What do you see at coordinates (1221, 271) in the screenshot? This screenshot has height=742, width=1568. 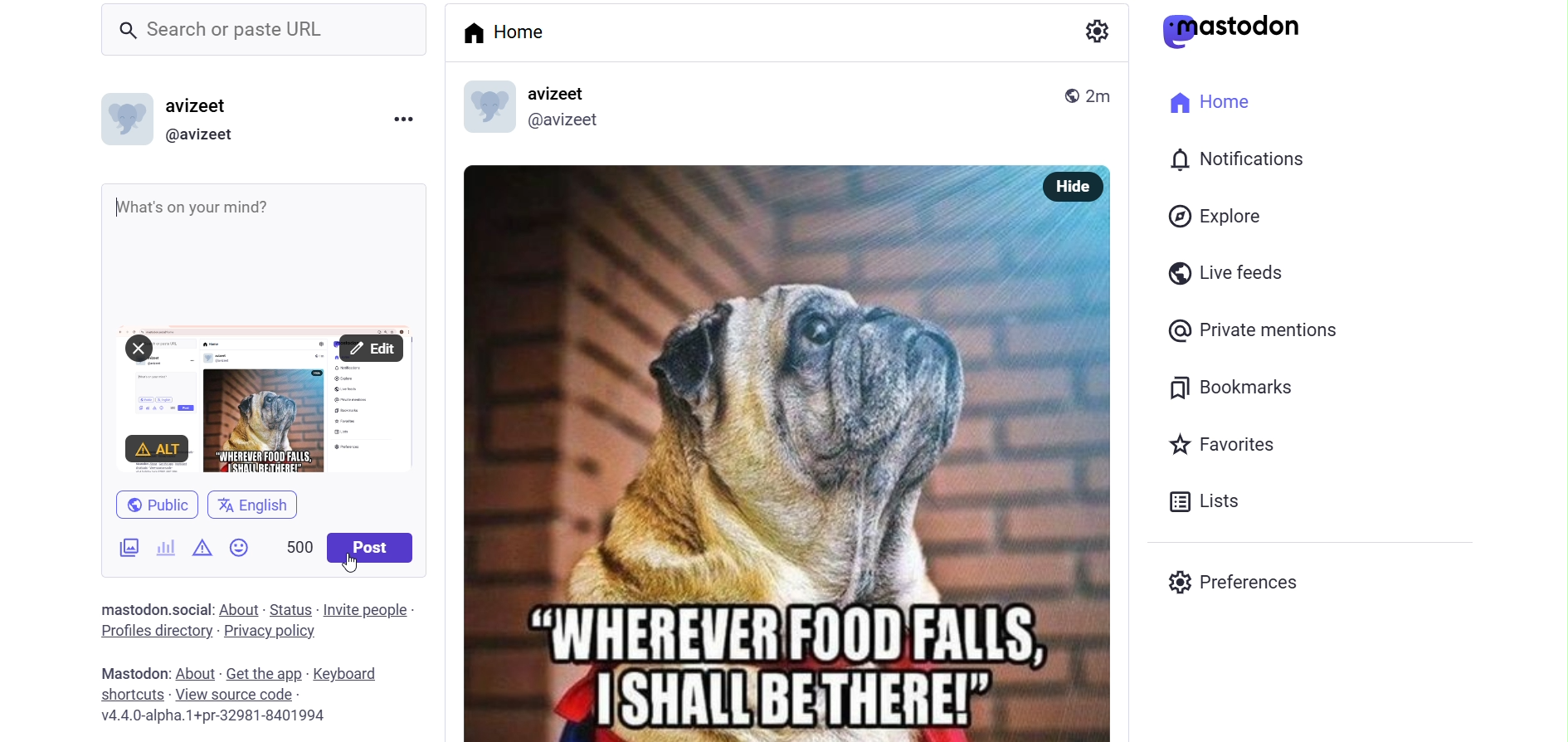 I see `live feed` at bounding box center [1221, 271].